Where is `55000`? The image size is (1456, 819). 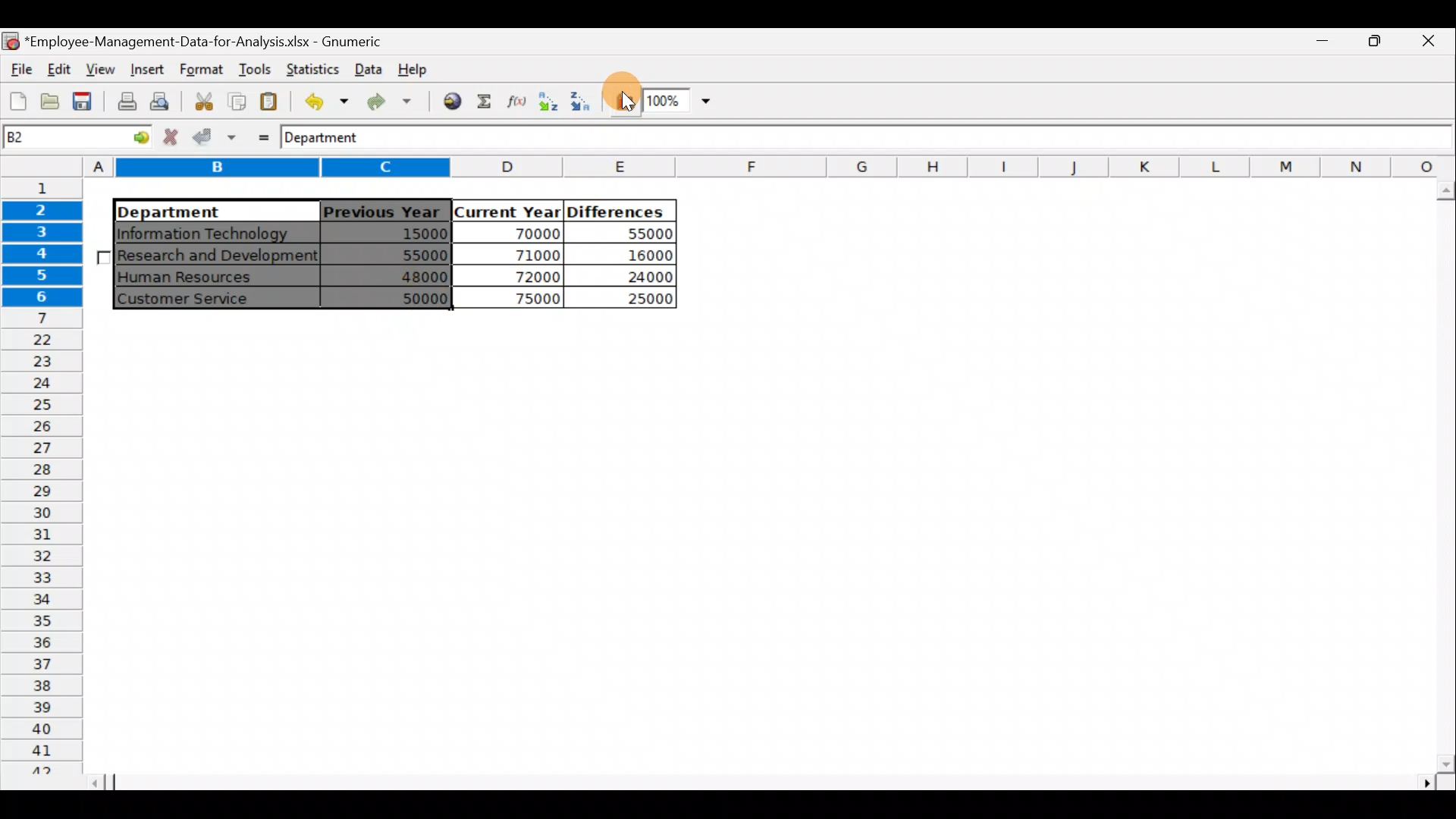 55000 is located at coordinates (416, 255).